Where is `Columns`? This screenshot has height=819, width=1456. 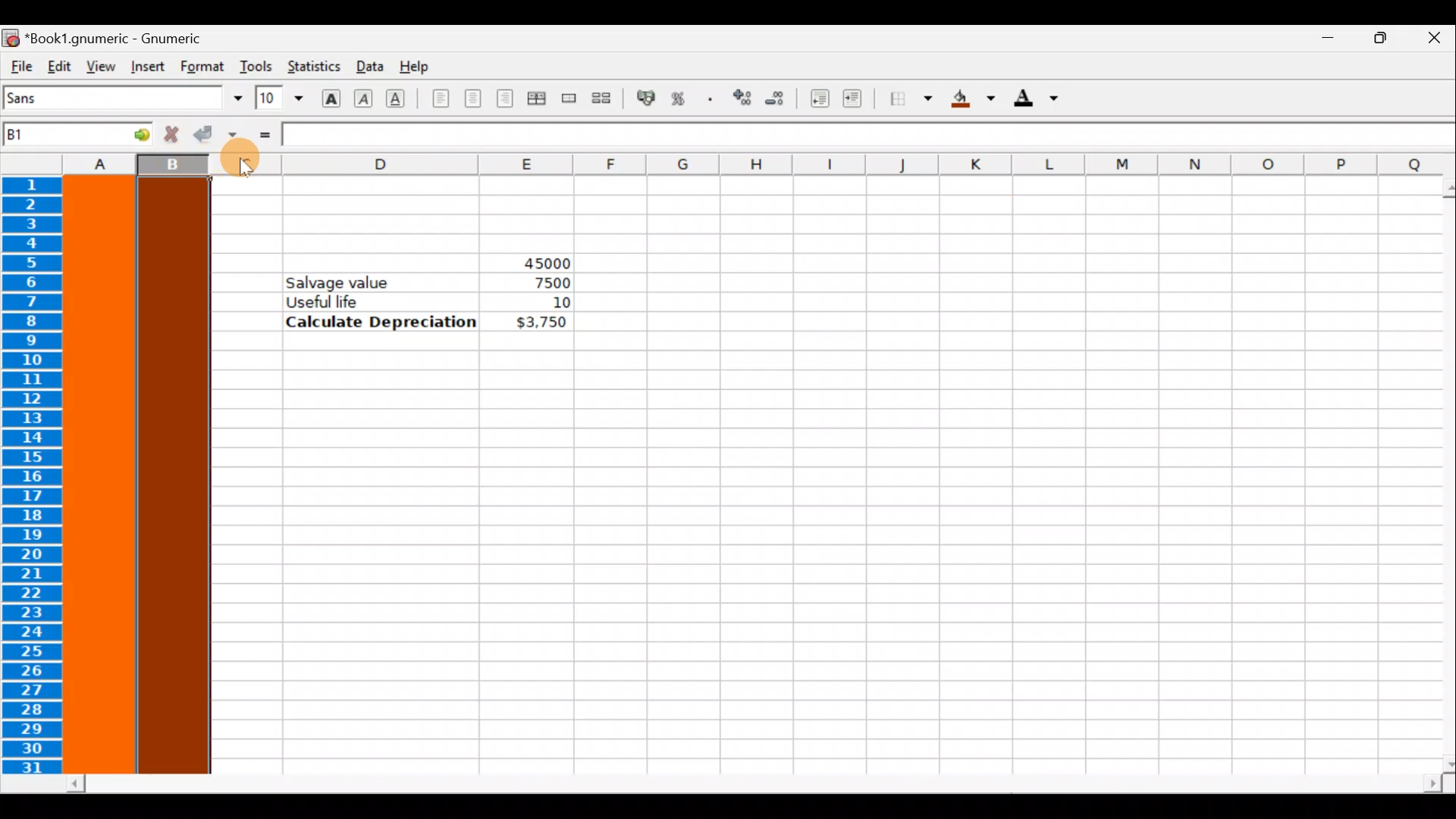 Columns is located at coordinates (723, 163).